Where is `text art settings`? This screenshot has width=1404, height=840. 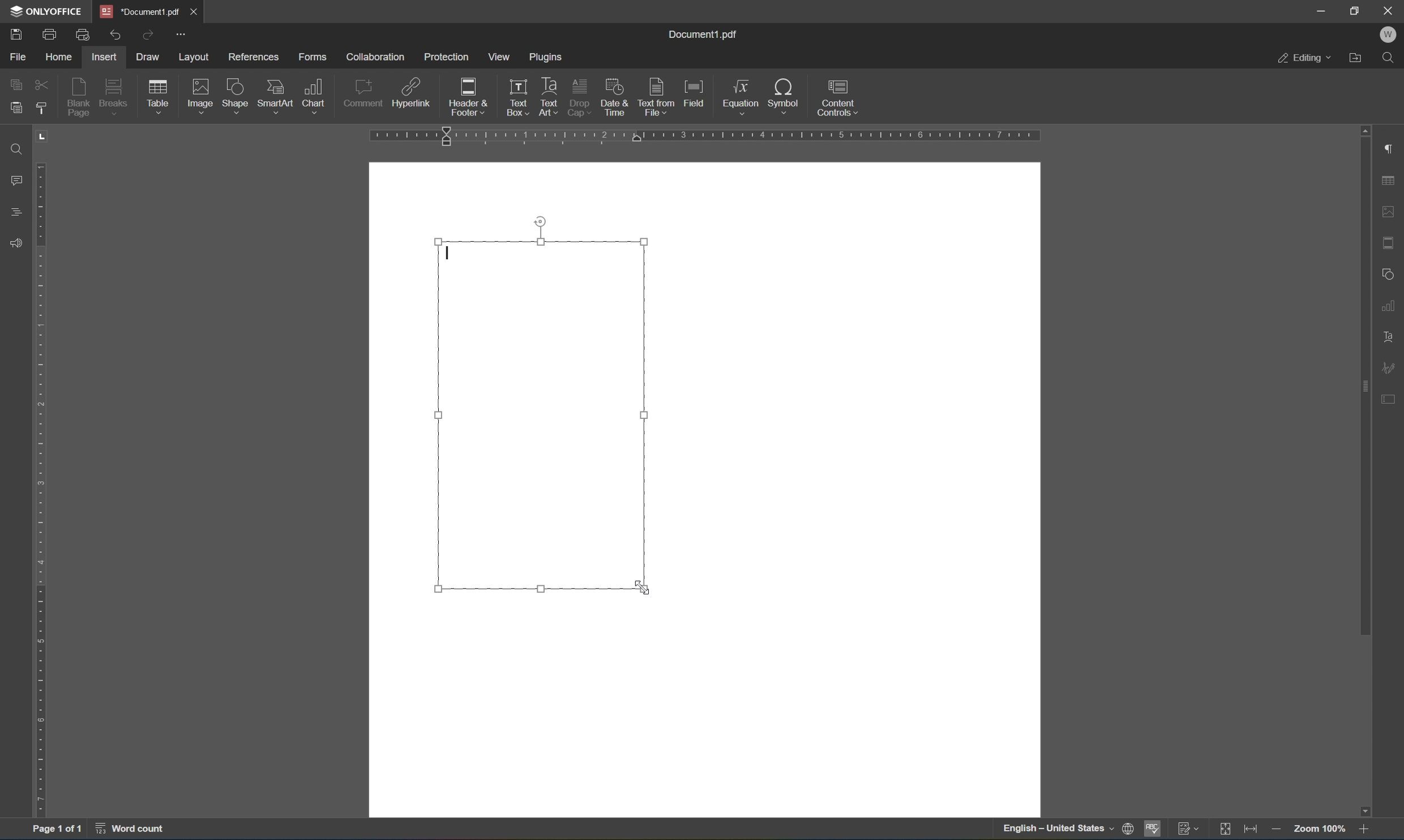
text art settings is located at coordinates (1389, 338).